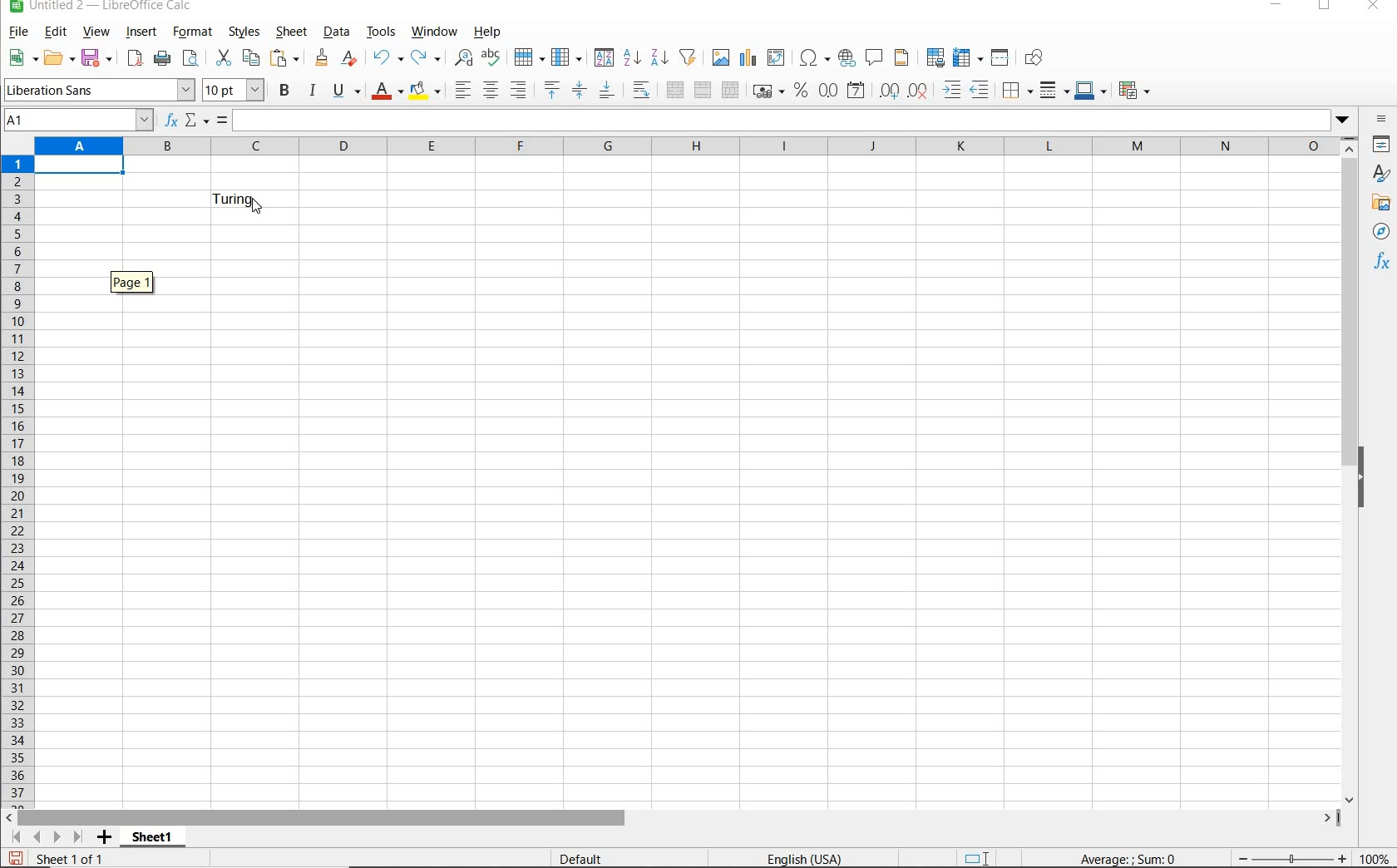 The height and width of the screenshot is (868, 1397). I want to click on FONT NAME, so click(99, 89).